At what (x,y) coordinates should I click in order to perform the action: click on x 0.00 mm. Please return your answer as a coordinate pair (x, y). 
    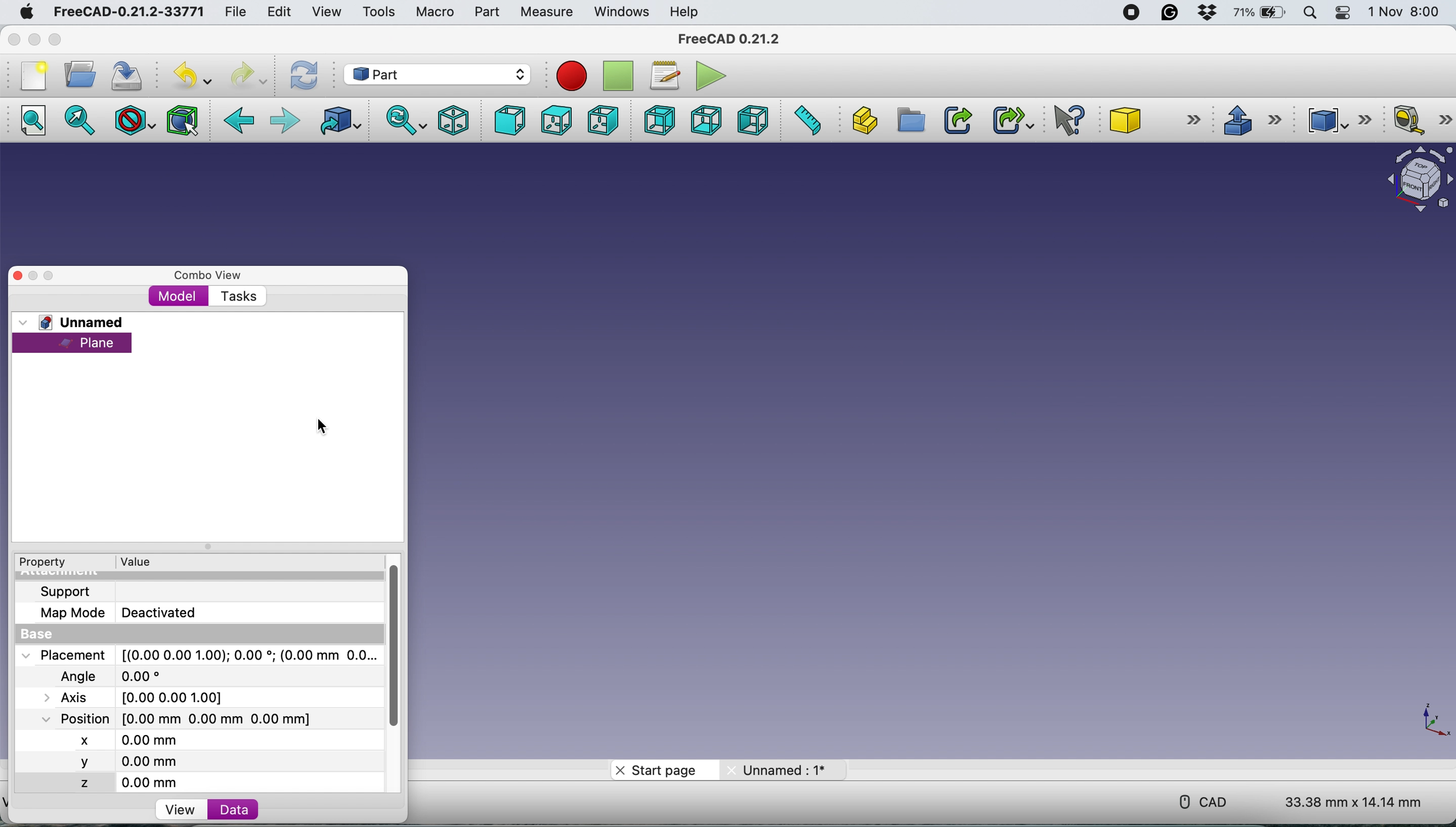
    Looking at the image, I should click on (128, 742).